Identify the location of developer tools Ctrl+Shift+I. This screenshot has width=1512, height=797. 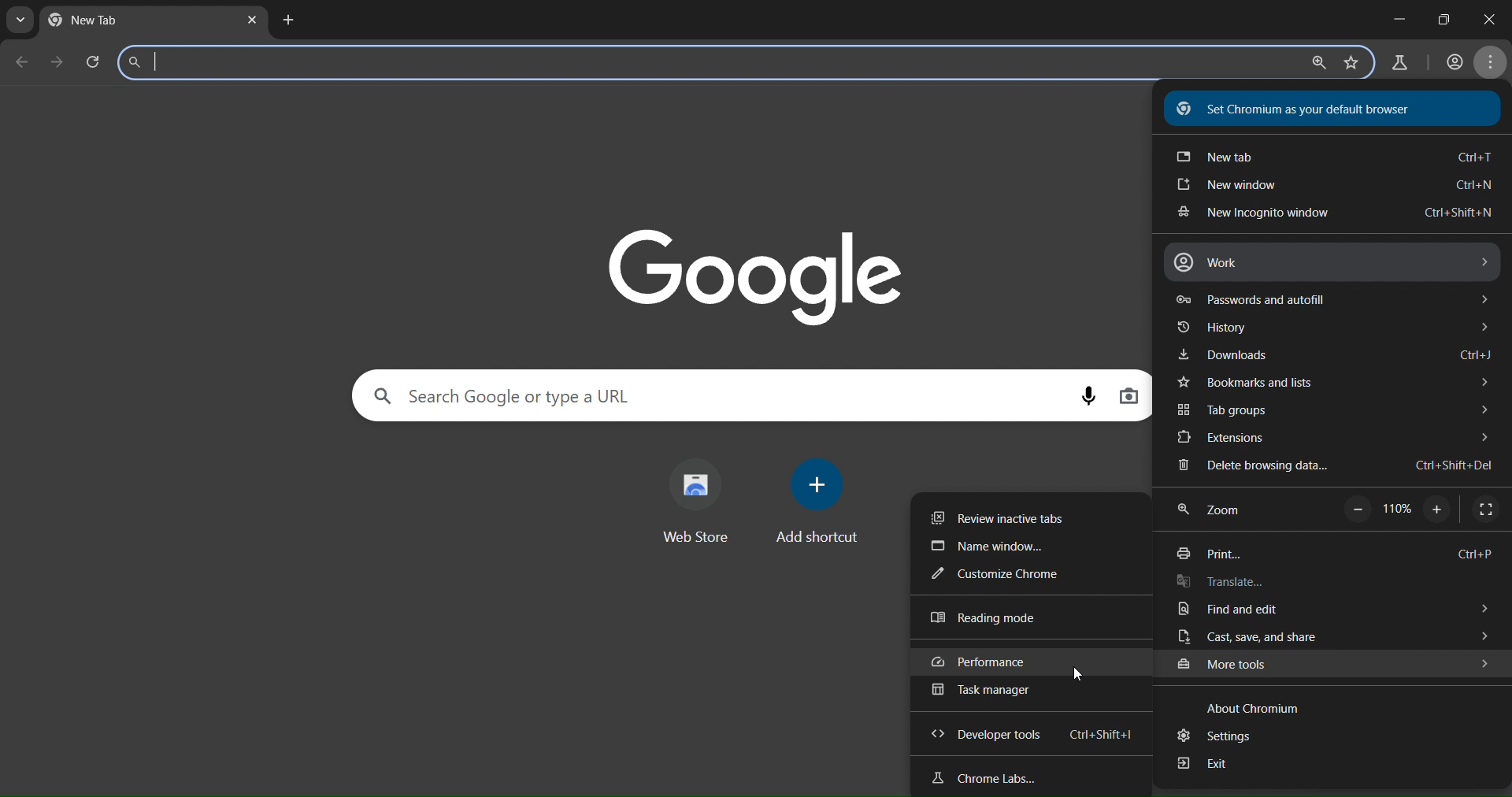
(1039, 734).